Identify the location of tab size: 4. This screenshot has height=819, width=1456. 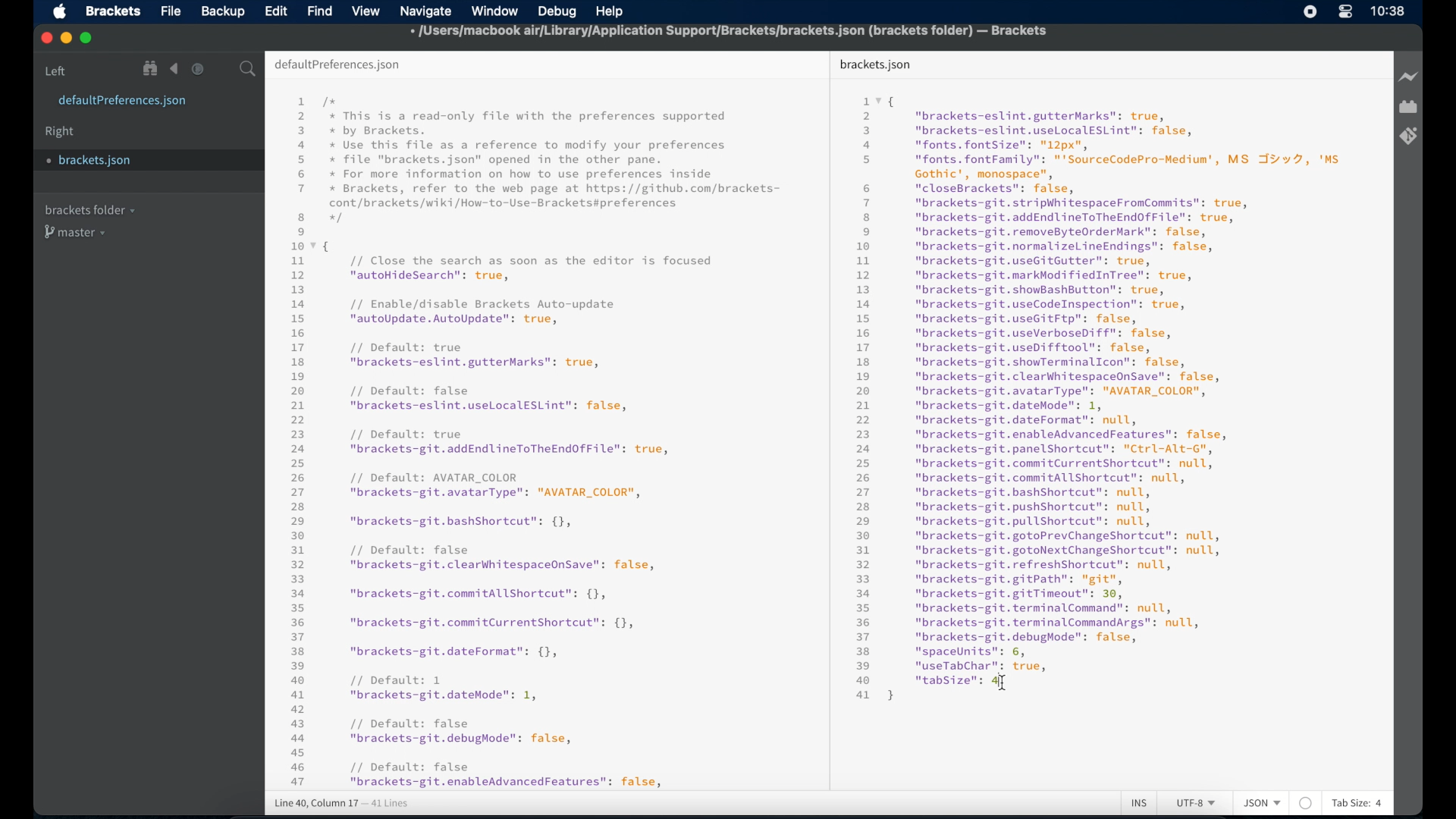
(1357, 802).